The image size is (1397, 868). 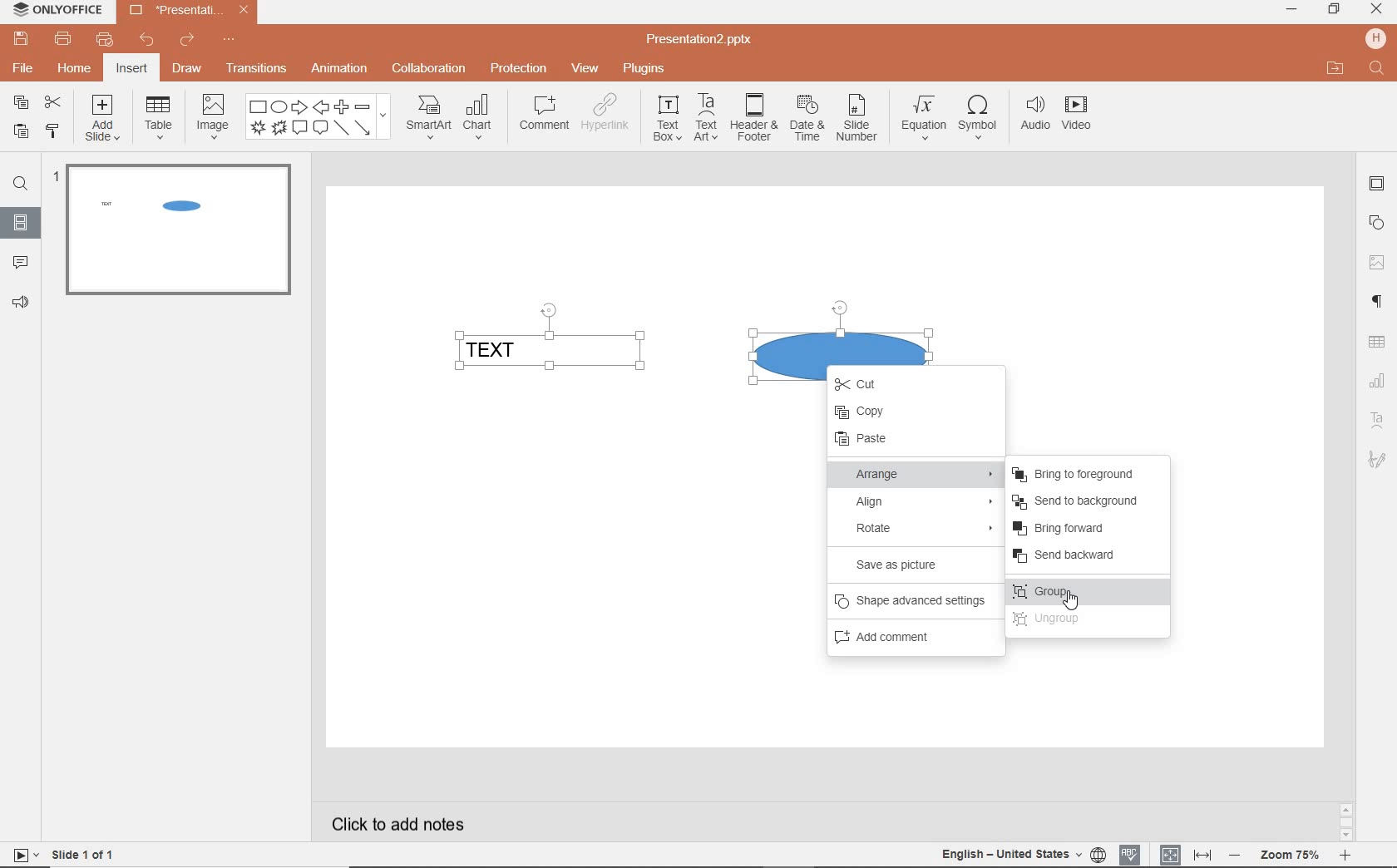 I want to click on home, so click(x=76, y=69).